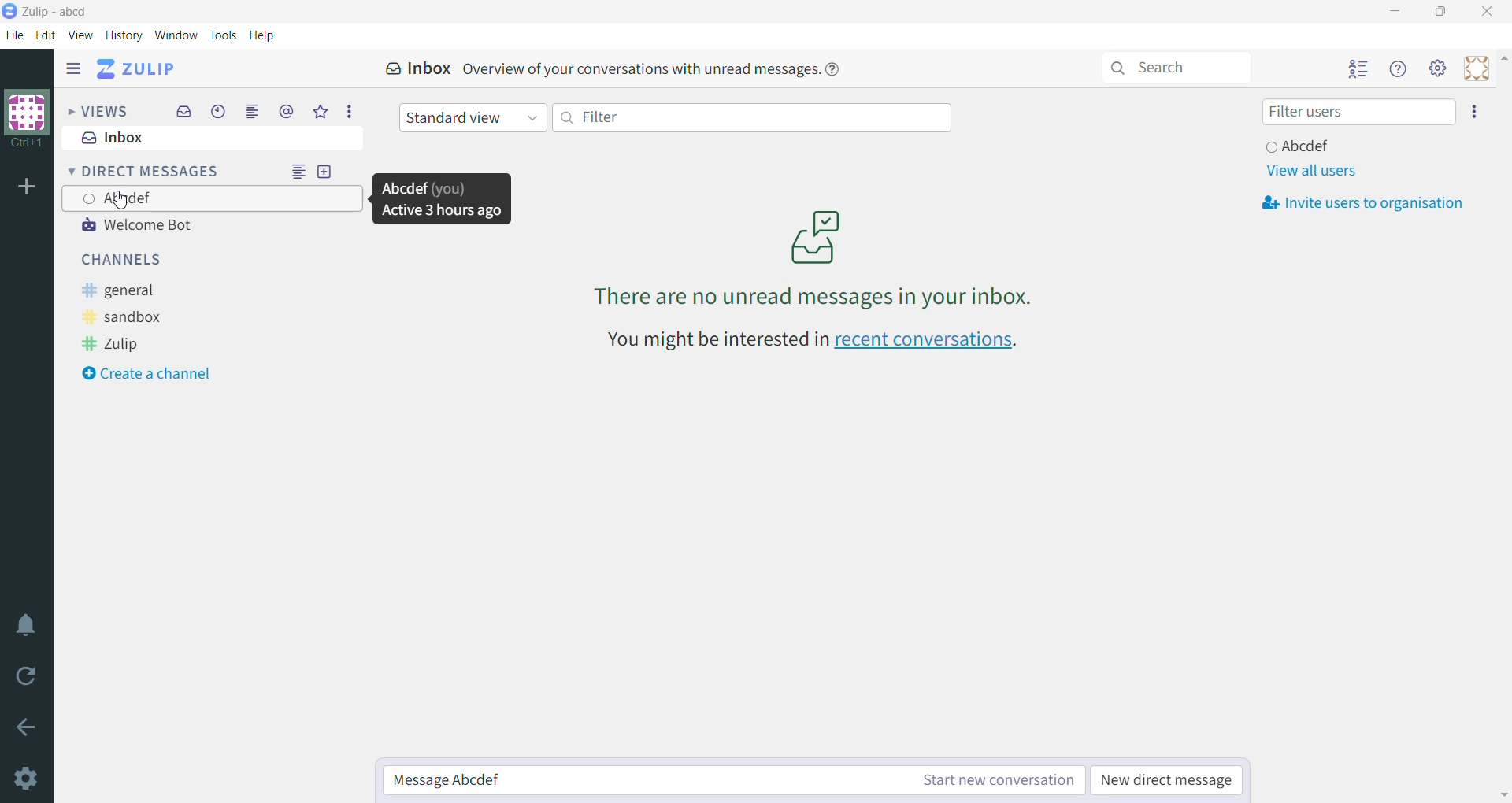 The width and height of the screenshot is (1512, 803). What do you see at coordinates (127, 205) in the screenshot?
I see `cursor` at bounding box center [127, 205].